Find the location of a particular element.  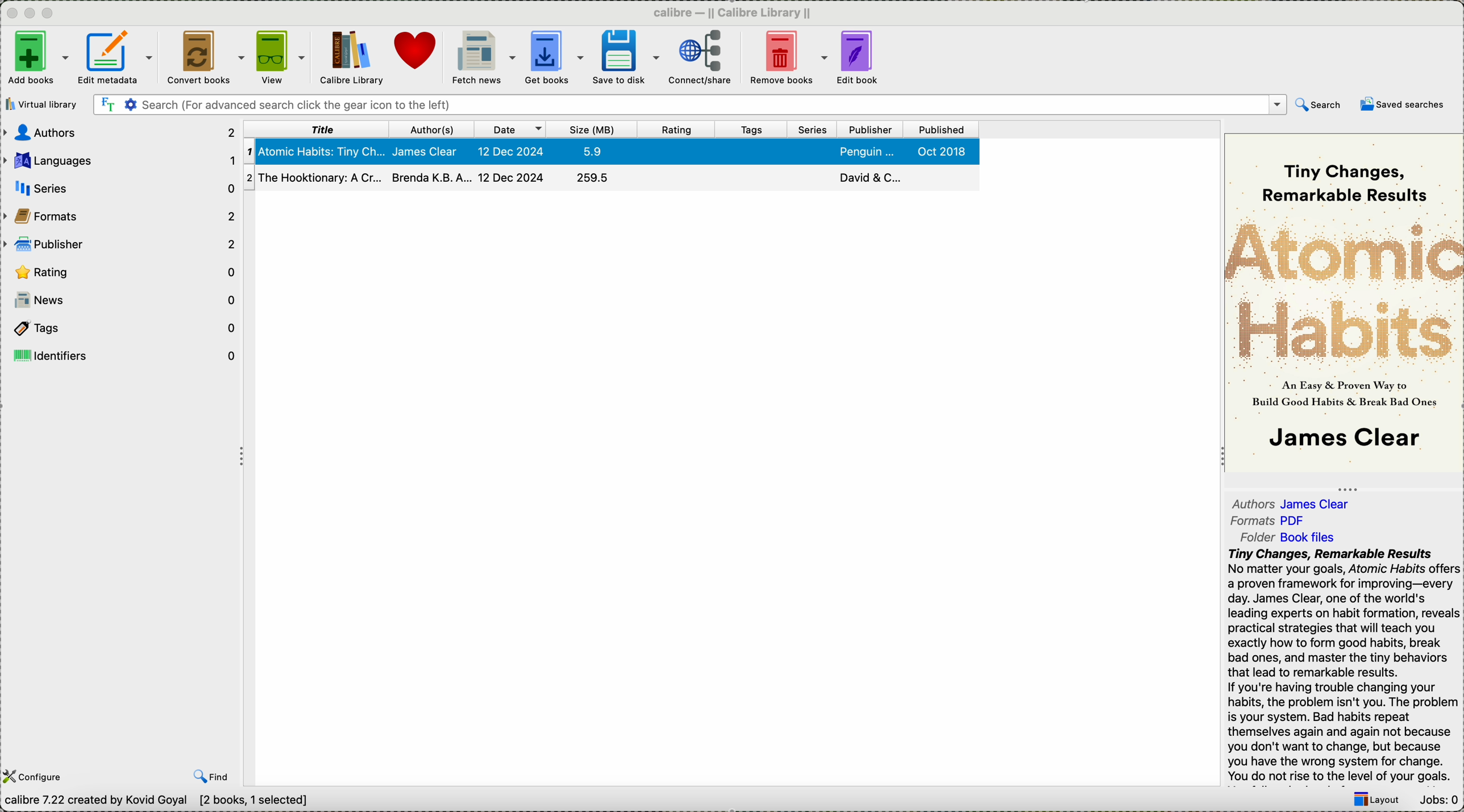

published is located at coordinates (942, 130).